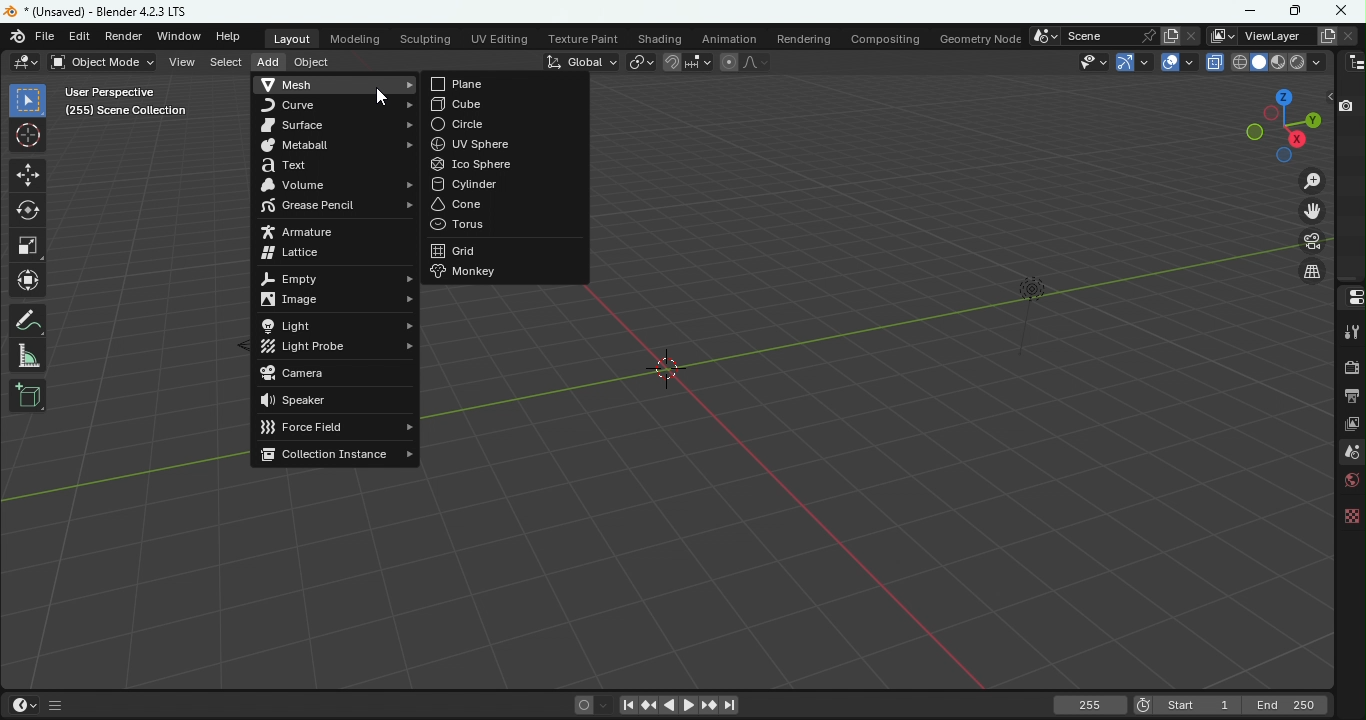  Describe the element at coordinates (503, 270) in the screenshot. I see `Monkey` at that location.